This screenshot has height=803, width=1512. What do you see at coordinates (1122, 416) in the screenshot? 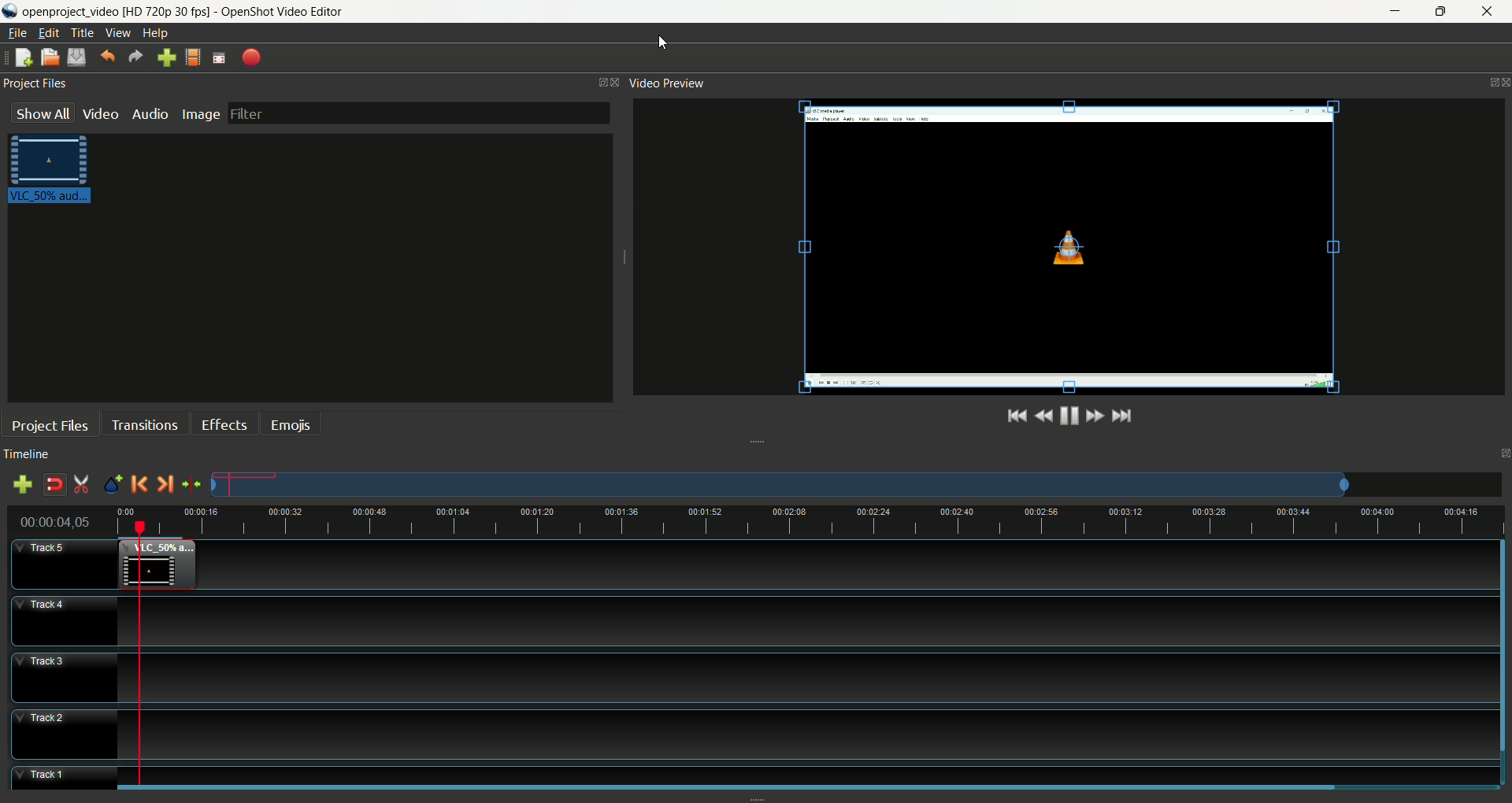
I see `jump to the end` at bounding box center [1122, 416].